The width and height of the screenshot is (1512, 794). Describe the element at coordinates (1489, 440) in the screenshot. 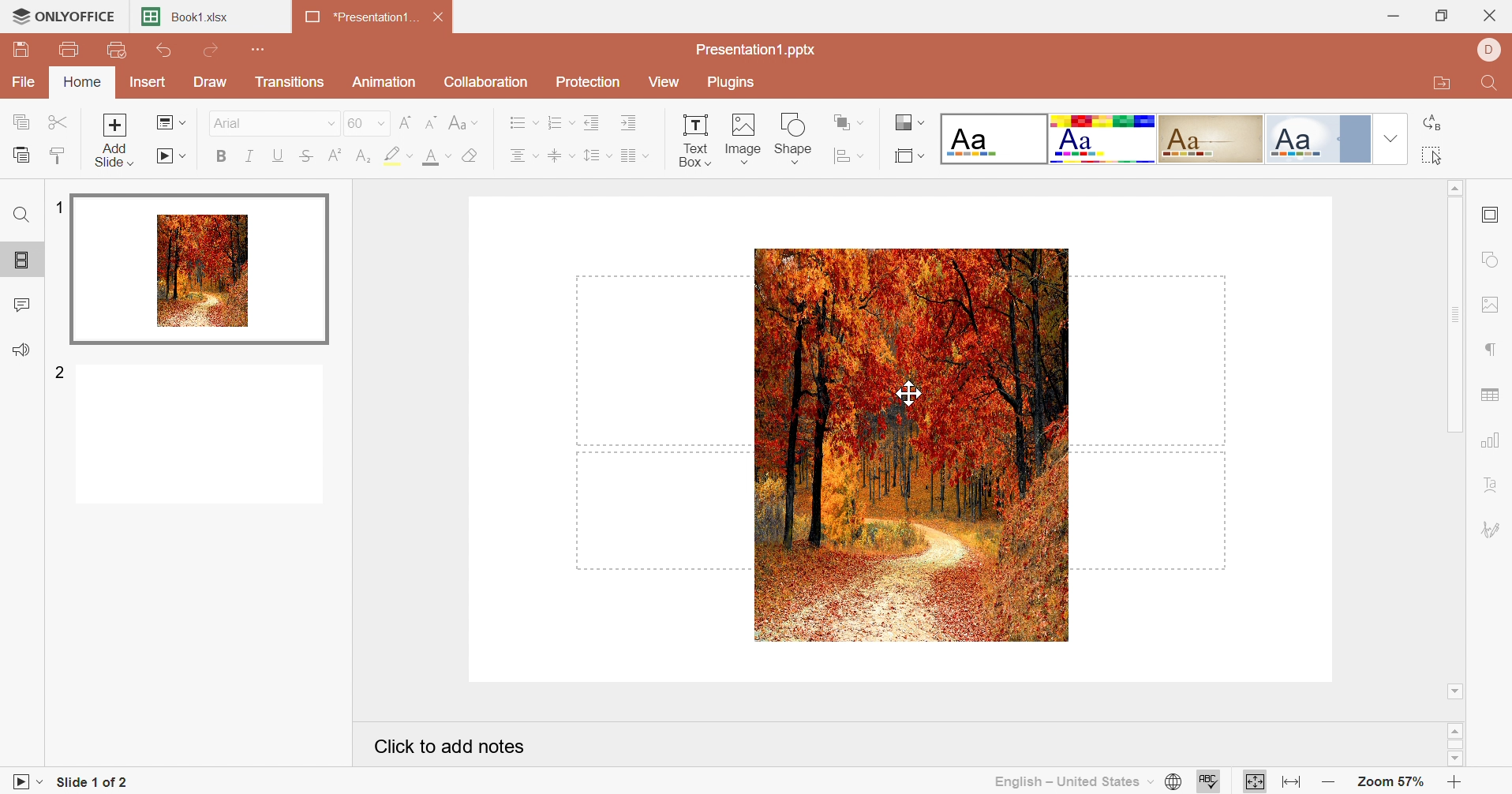

I see `Chart settings` at that location.